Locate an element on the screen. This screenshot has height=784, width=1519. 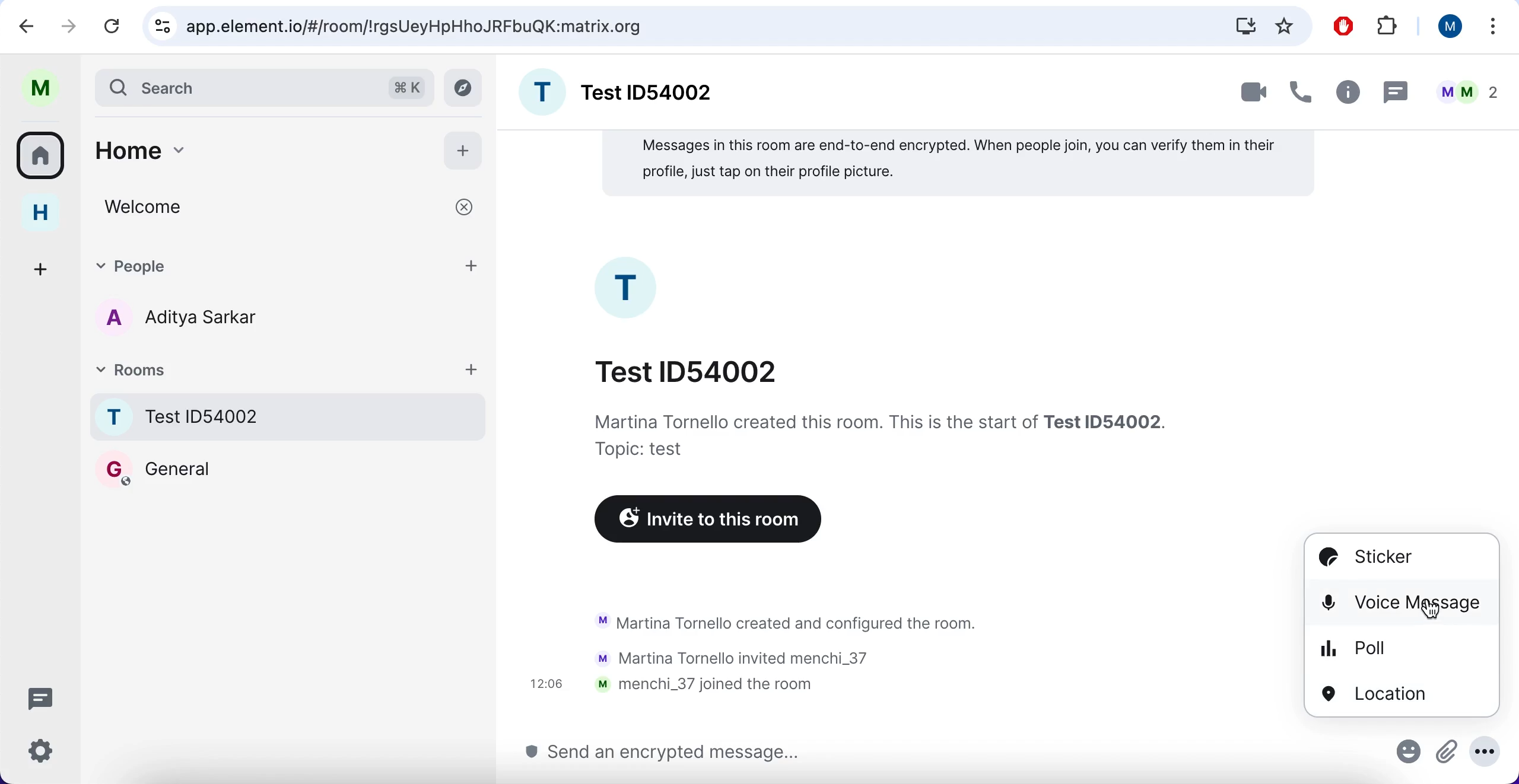
google search is located at coordinates (418, 27).